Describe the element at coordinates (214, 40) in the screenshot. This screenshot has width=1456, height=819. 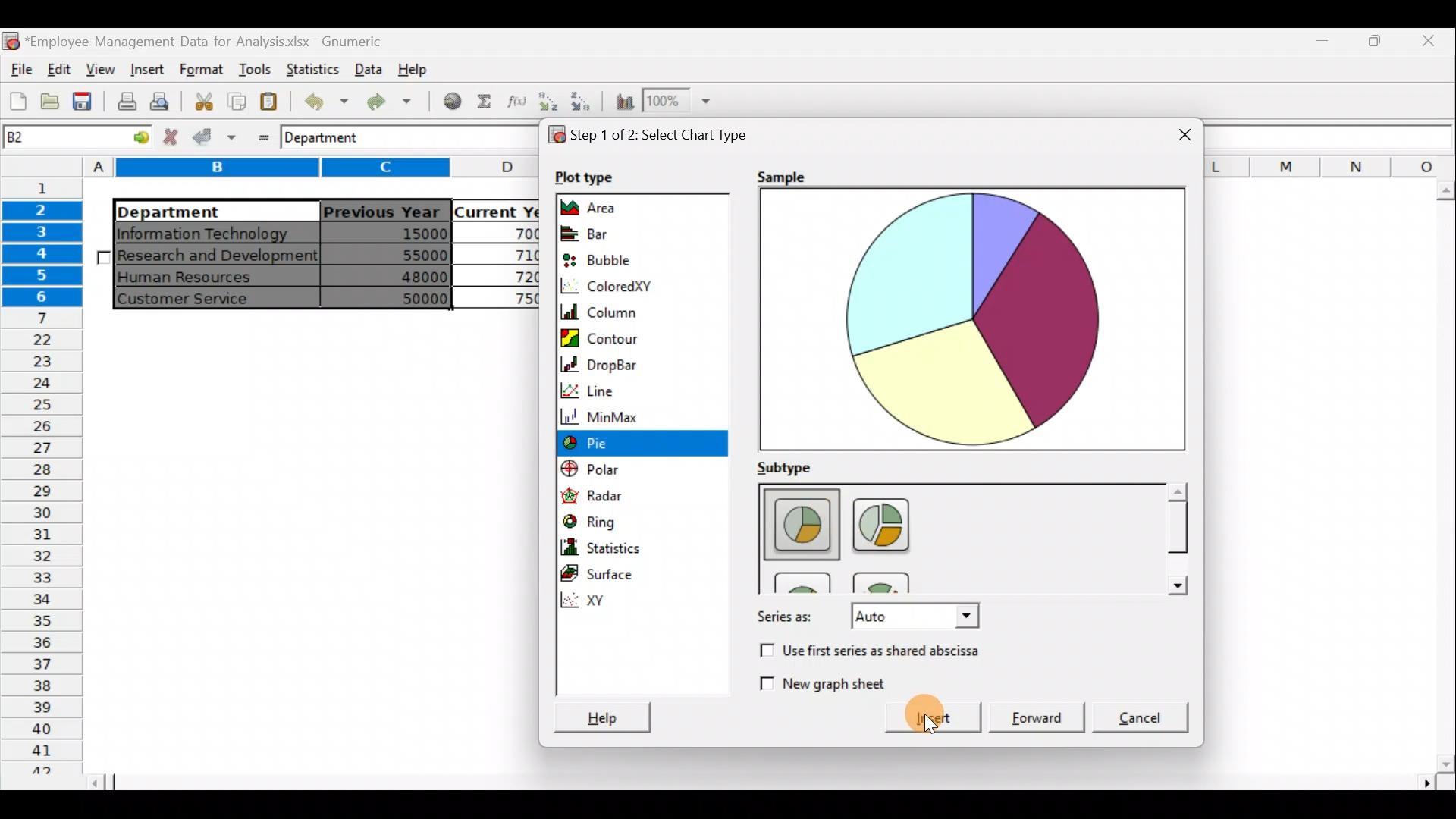
I see `Employee-Management-Data-for-Analysis.xlsx - Gnumeric` at that location.